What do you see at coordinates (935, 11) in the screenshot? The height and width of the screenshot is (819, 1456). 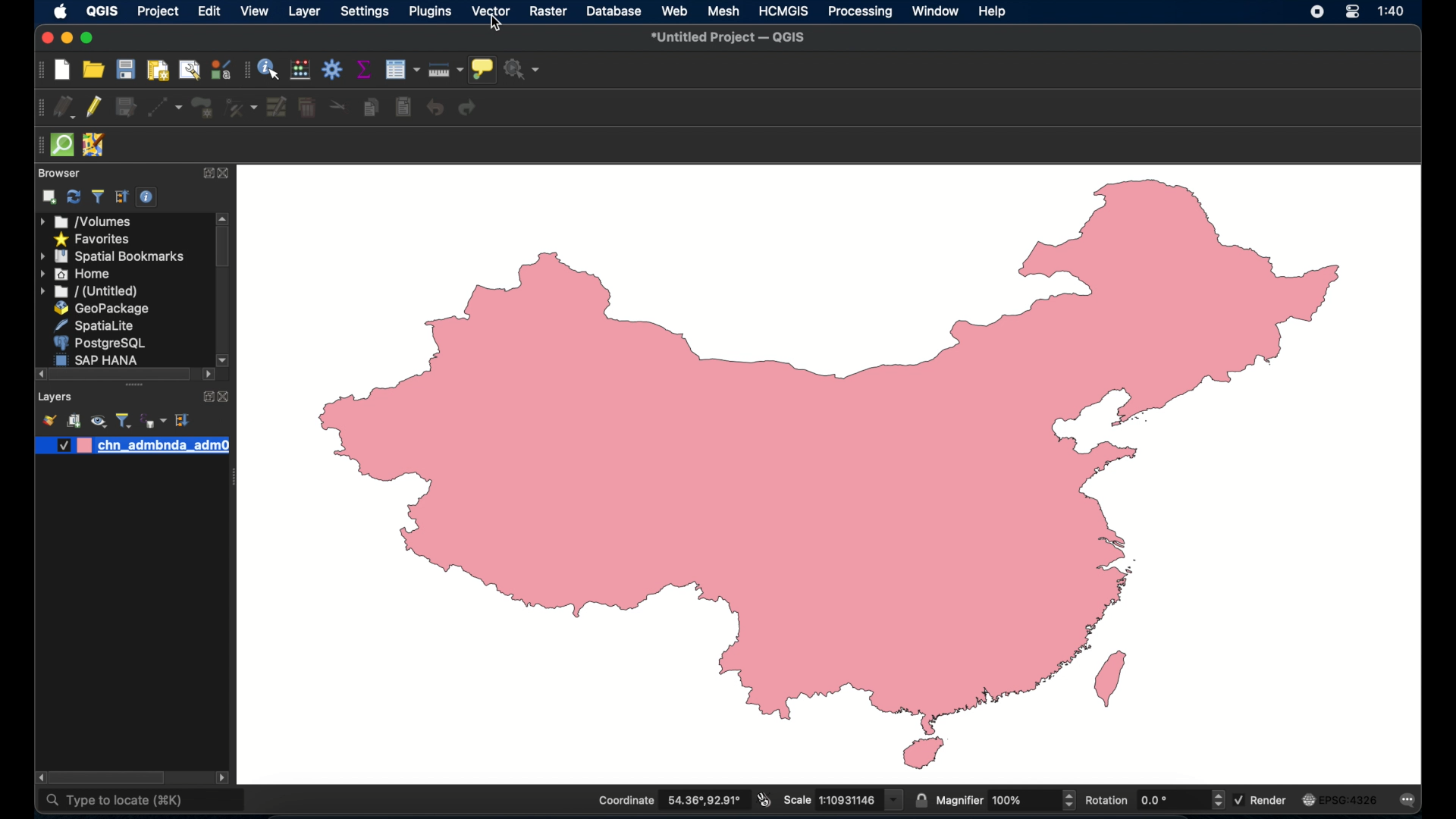 I see `window` at bounding box center [935, 11].